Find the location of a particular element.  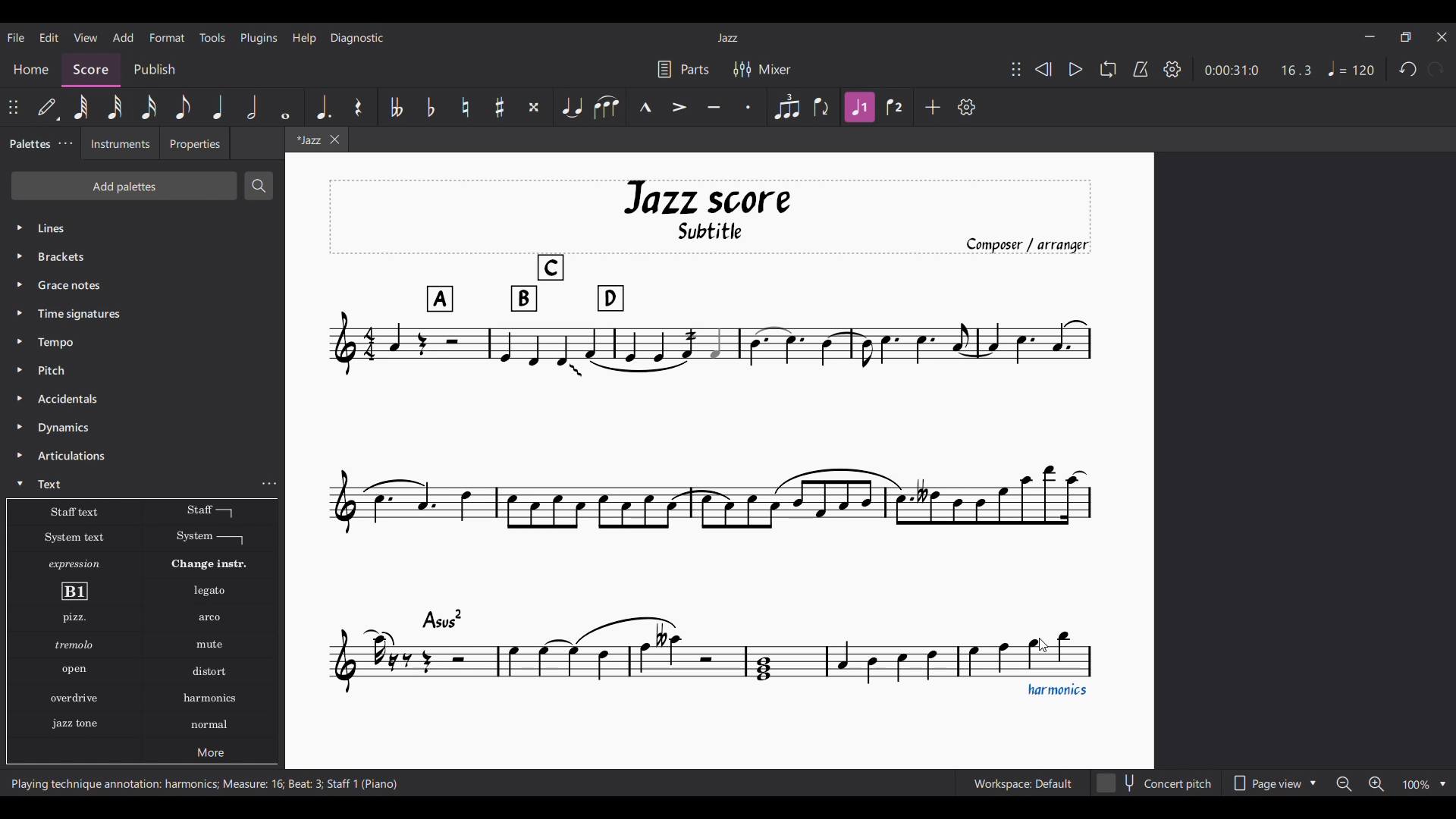

Parts settings is located at coordinates (684, 69).